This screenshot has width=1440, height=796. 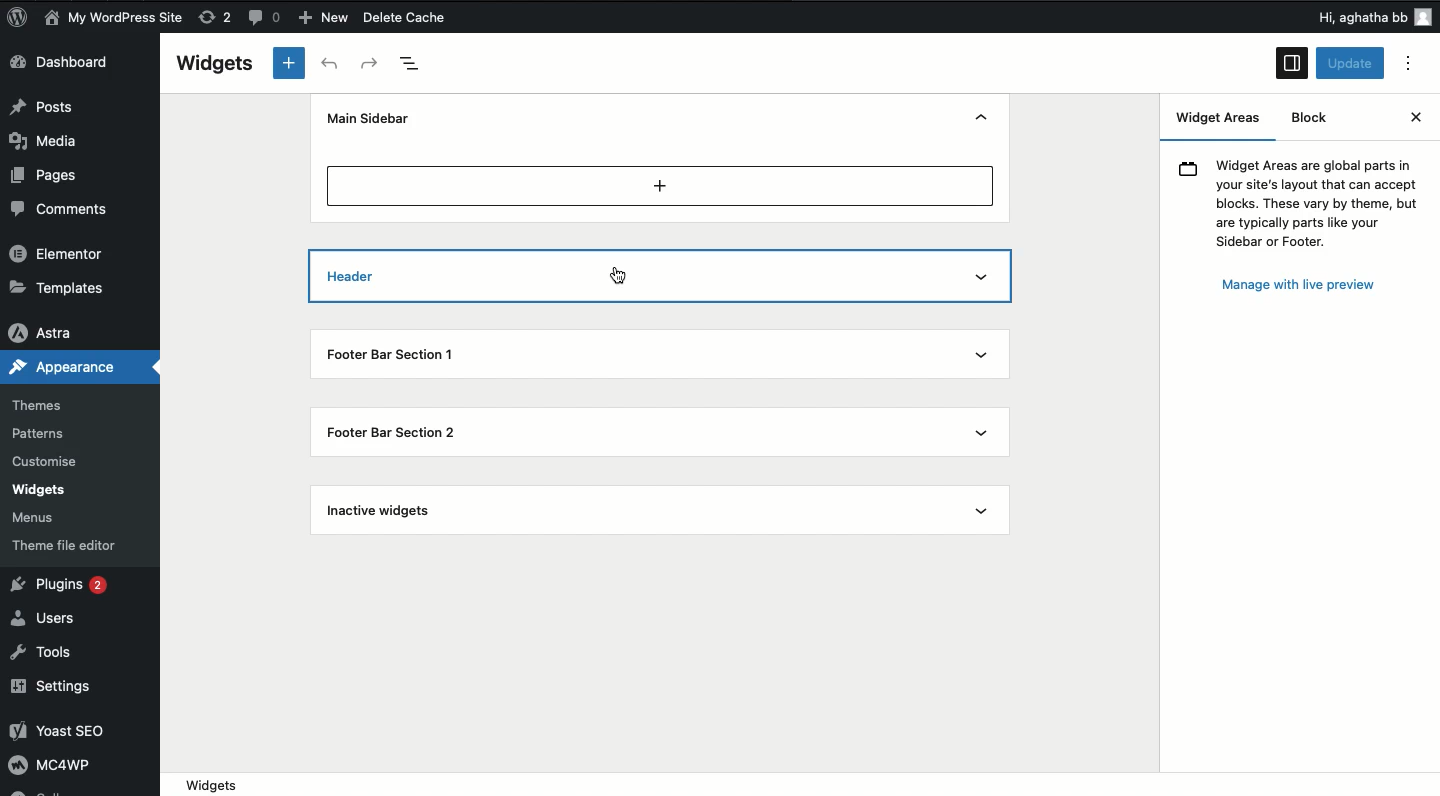 What do you see at coordinates (985, 394) in the screenshot?
I see `Show` at bounding box center [985, 394].